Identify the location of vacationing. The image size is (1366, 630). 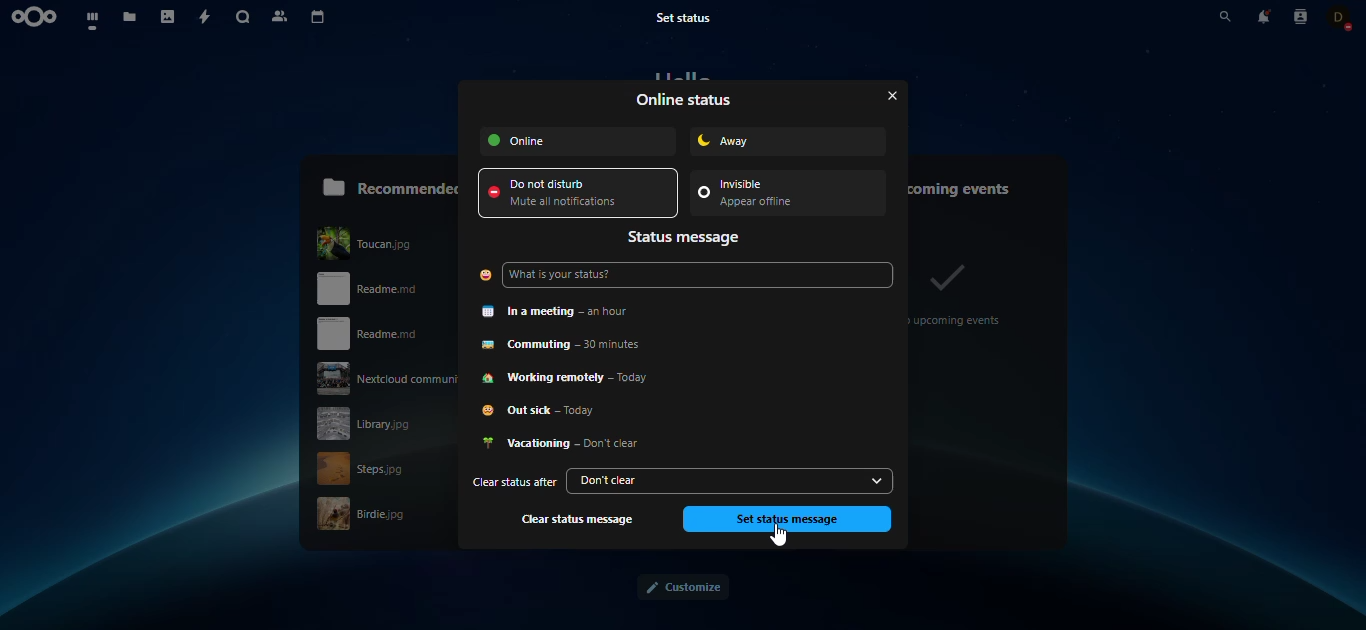
(564, 444).